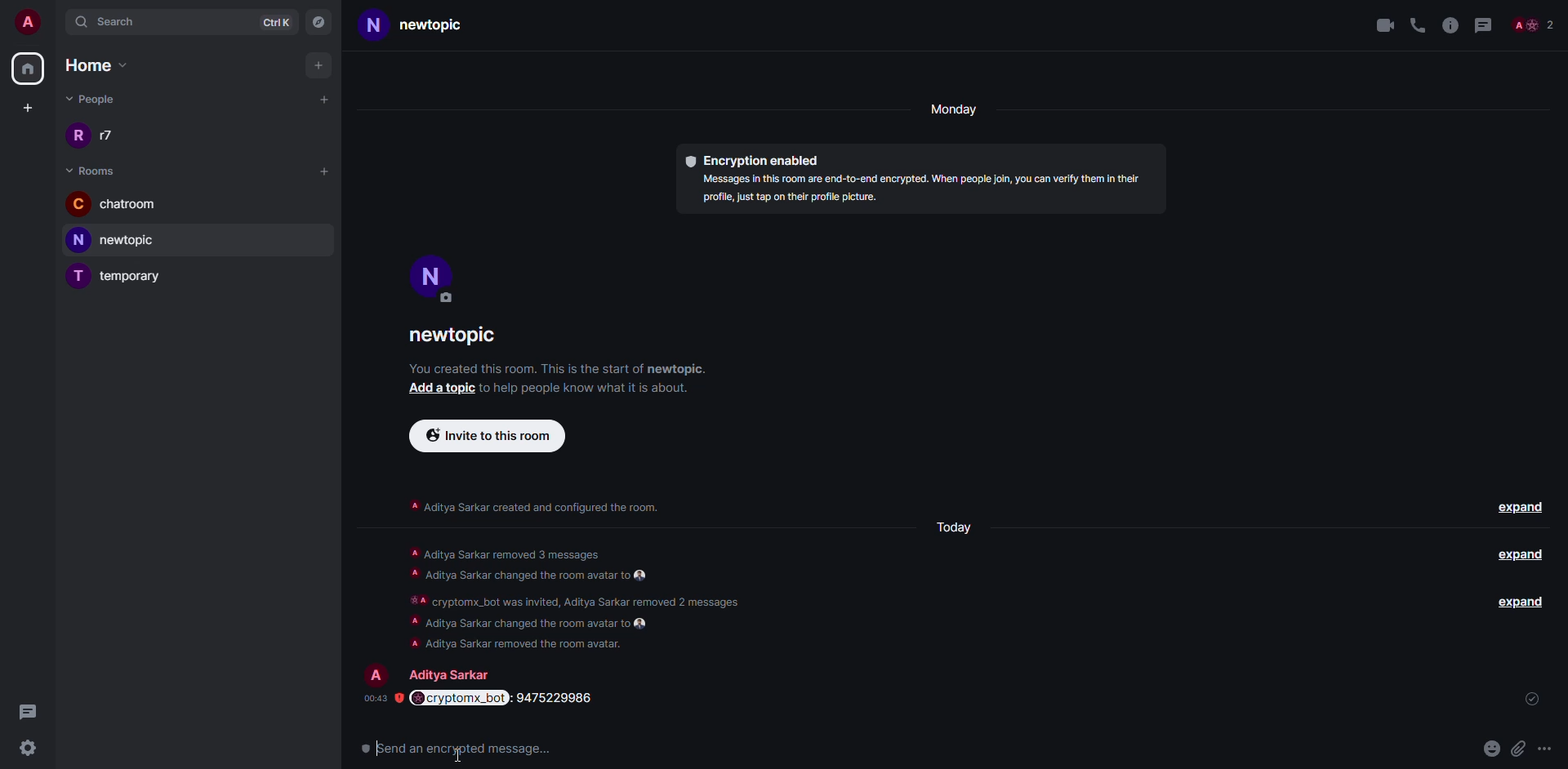 This screenshot has height=769, width=1568. Describe the element at coordinates (757, 160) in the screenshot. I see `encryption enabled` at that location.